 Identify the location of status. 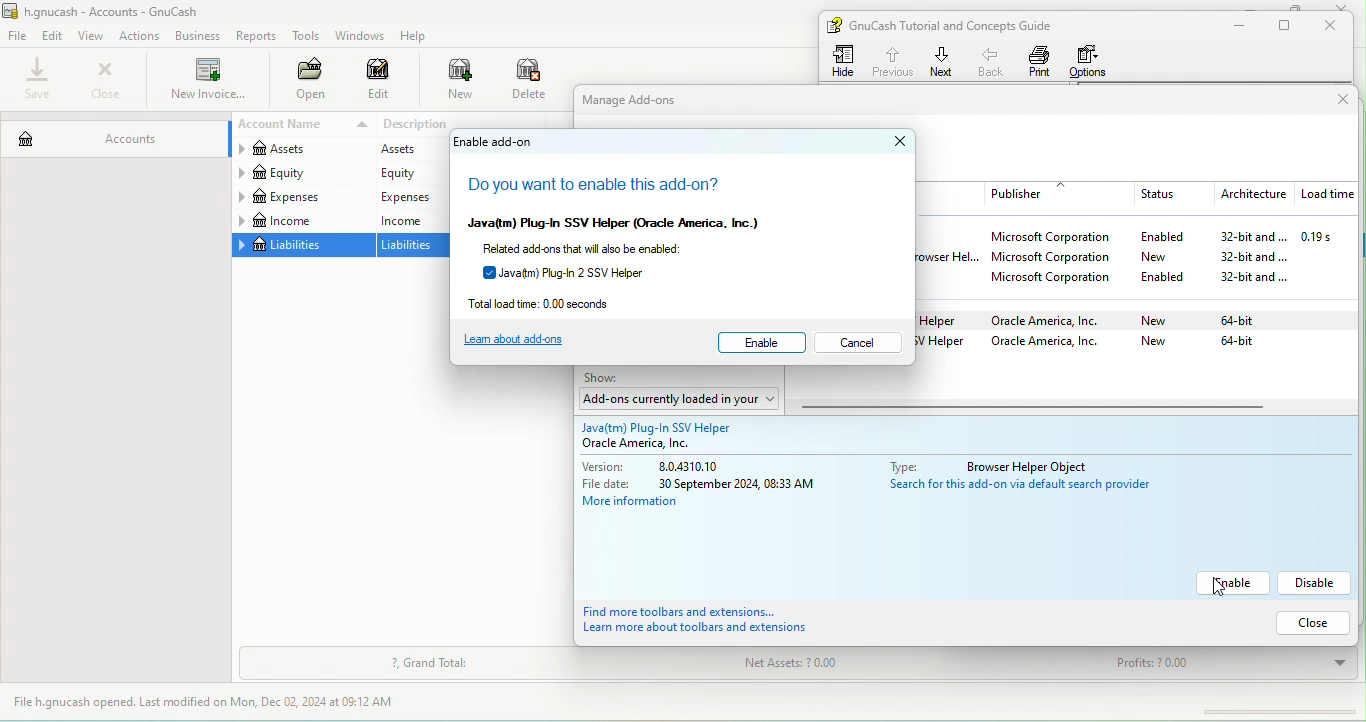
(1168, 195).